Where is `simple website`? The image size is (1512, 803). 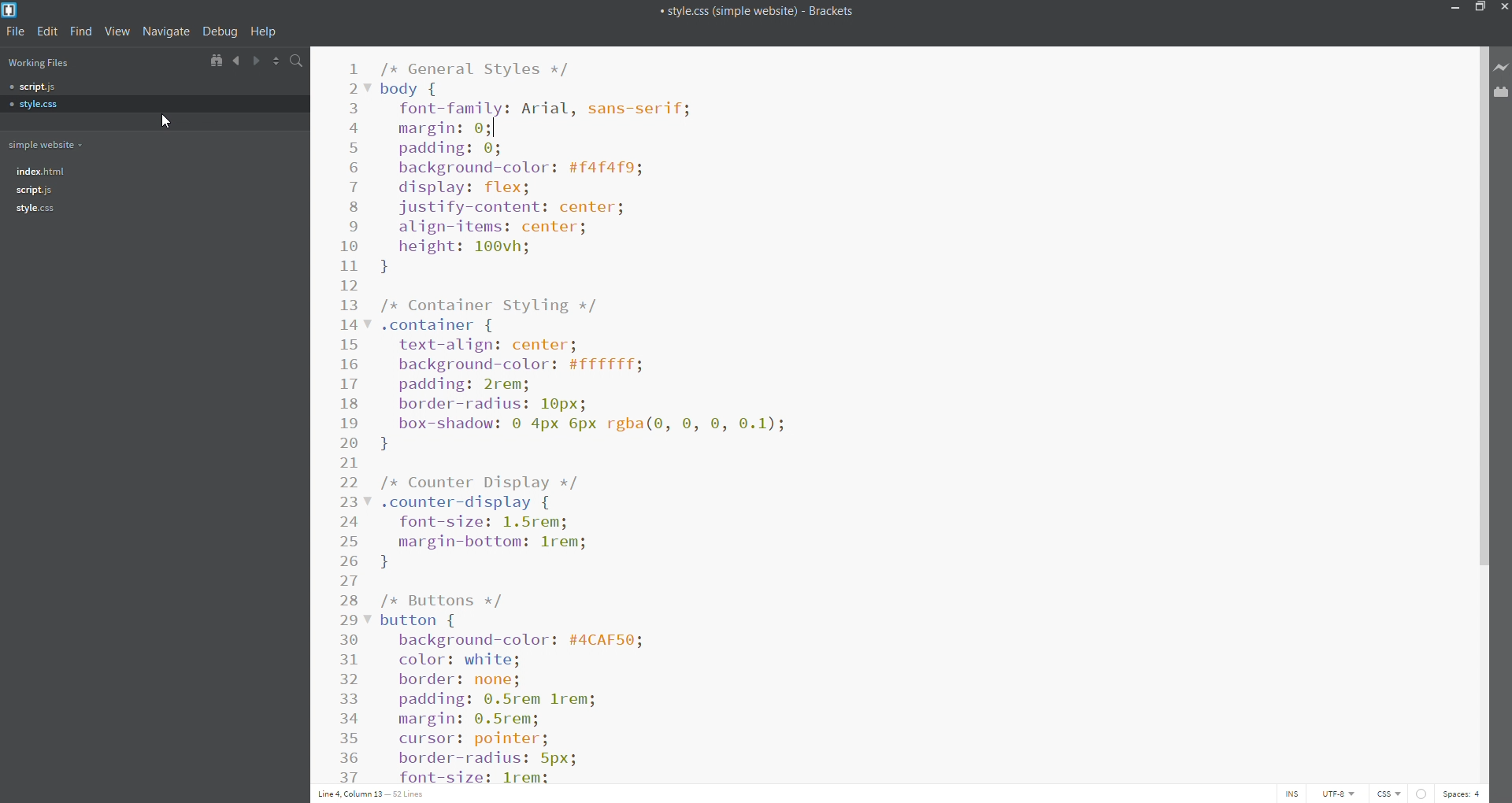 simple website is located at coordinates (50, 145).